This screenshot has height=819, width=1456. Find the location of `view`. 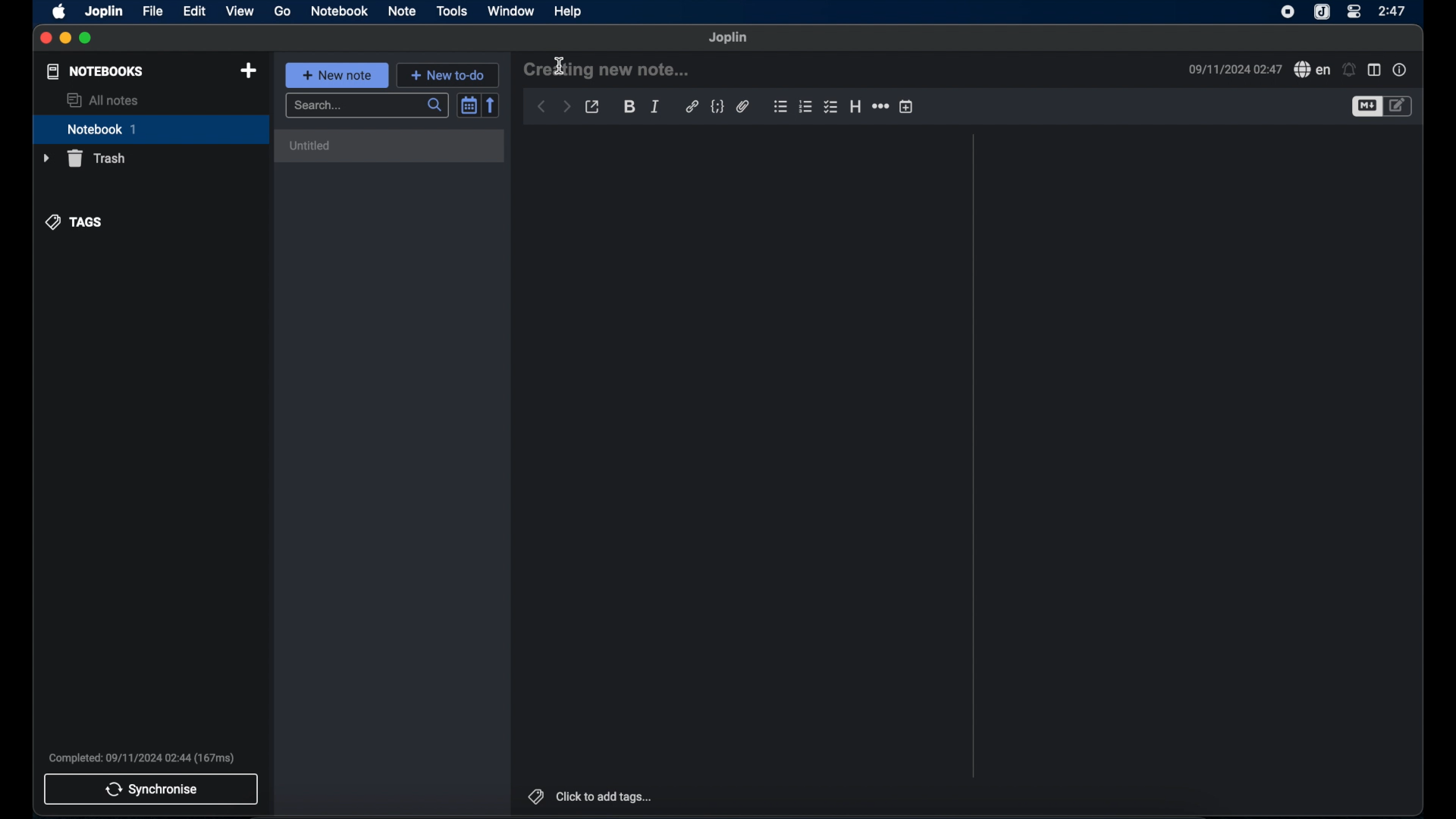

view is located at coordinates (241, 11).